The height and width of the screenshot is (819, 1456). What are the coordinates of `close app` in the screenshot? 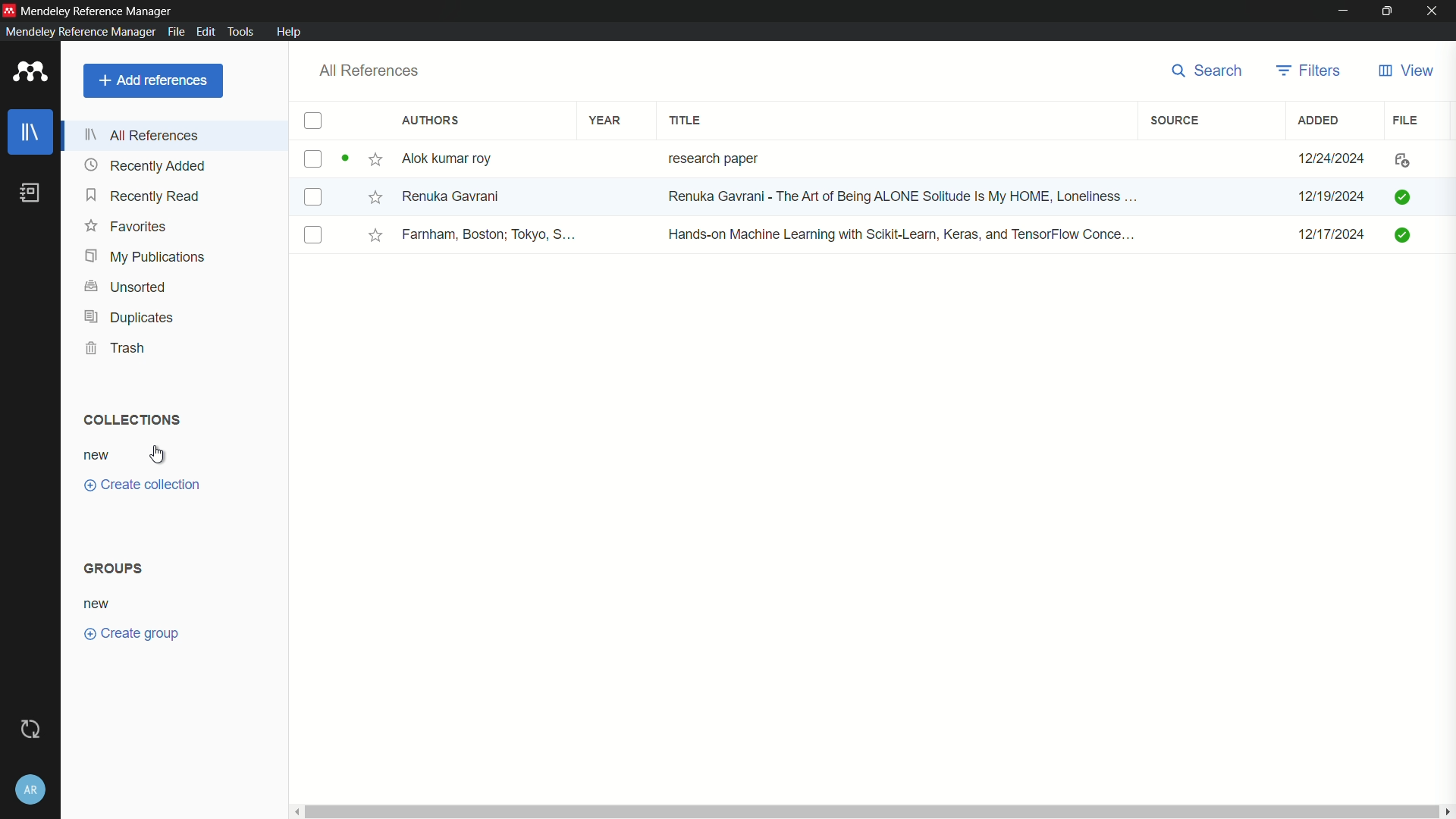 It's located at (1434, 11).